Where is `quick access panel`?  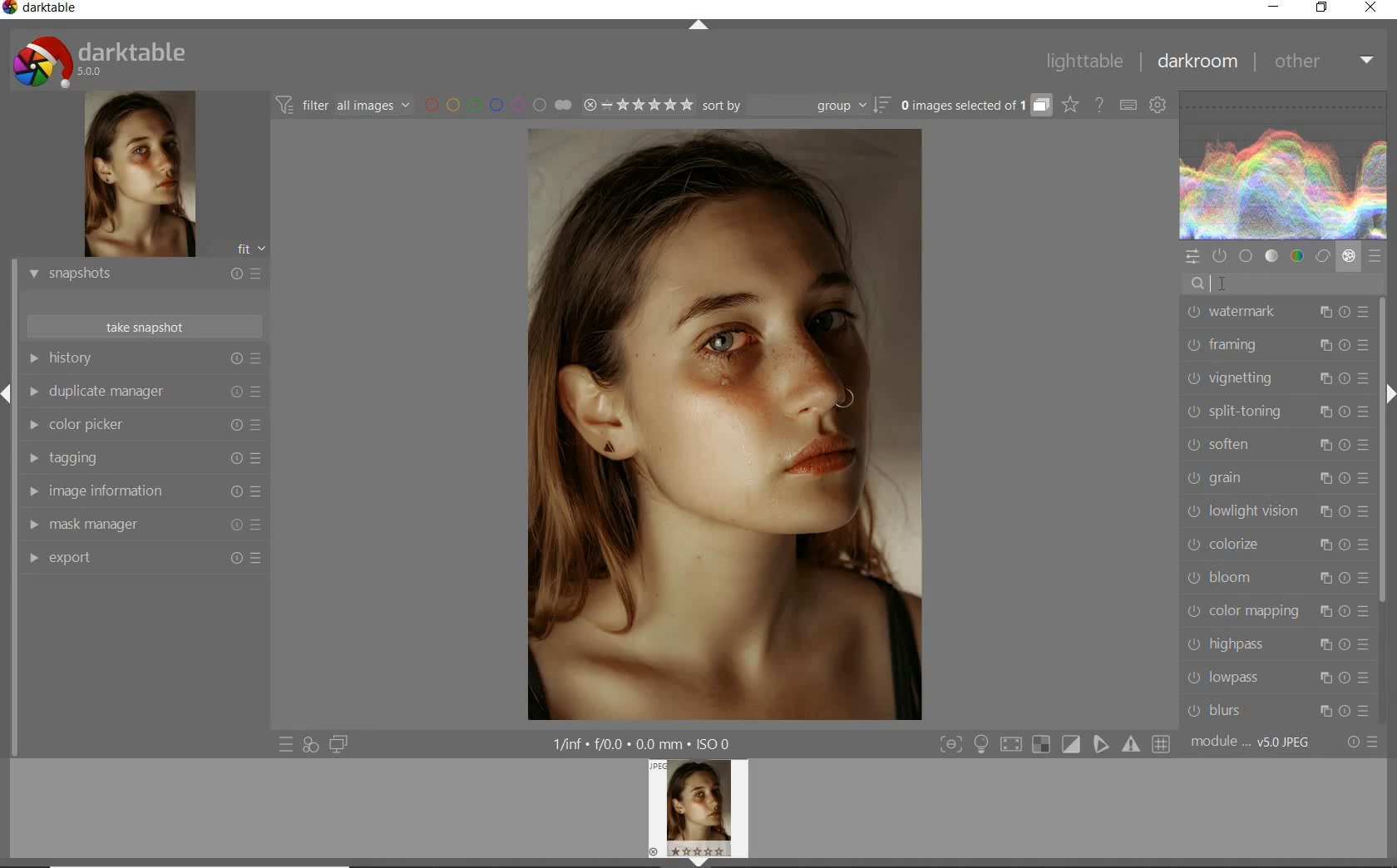 quick access panel is located at coordinates (1191, 257).